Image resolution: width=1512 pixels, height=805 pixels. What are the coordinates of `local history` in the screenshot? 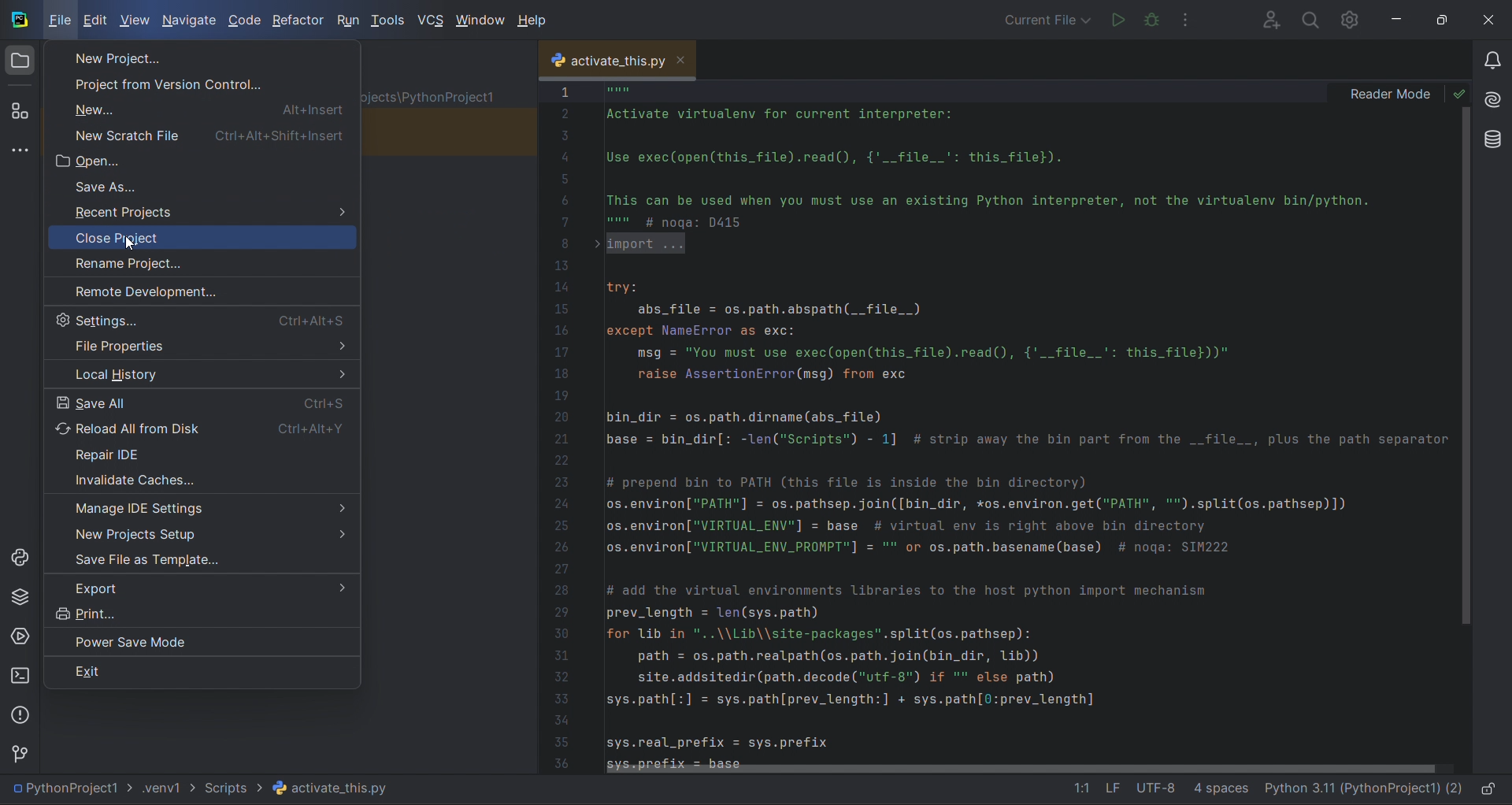 It's located at (198, 371).